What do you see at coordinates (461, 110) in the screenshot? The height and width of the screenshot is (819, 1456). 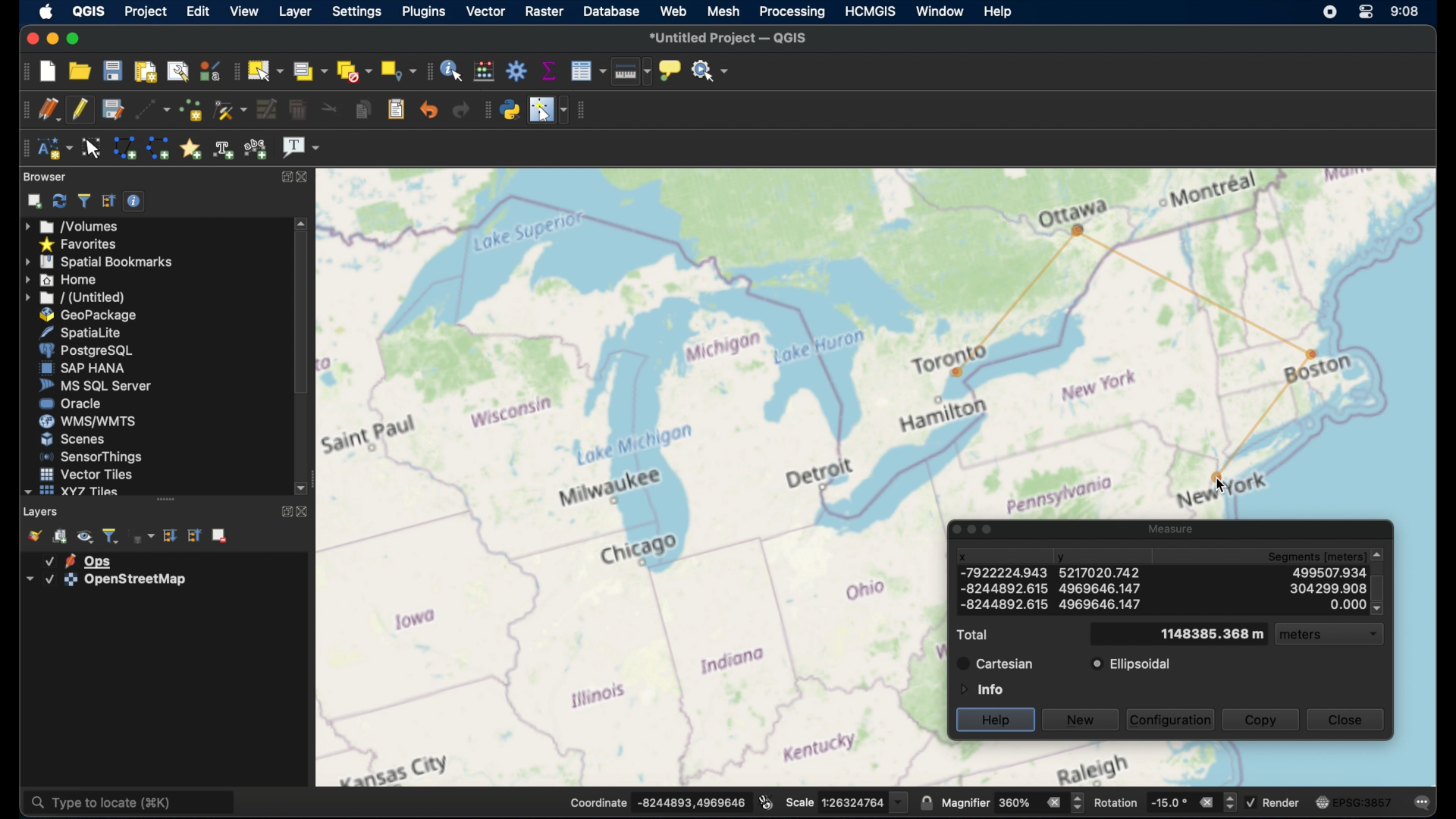 I see `redo` at bounding box center [461, 110].